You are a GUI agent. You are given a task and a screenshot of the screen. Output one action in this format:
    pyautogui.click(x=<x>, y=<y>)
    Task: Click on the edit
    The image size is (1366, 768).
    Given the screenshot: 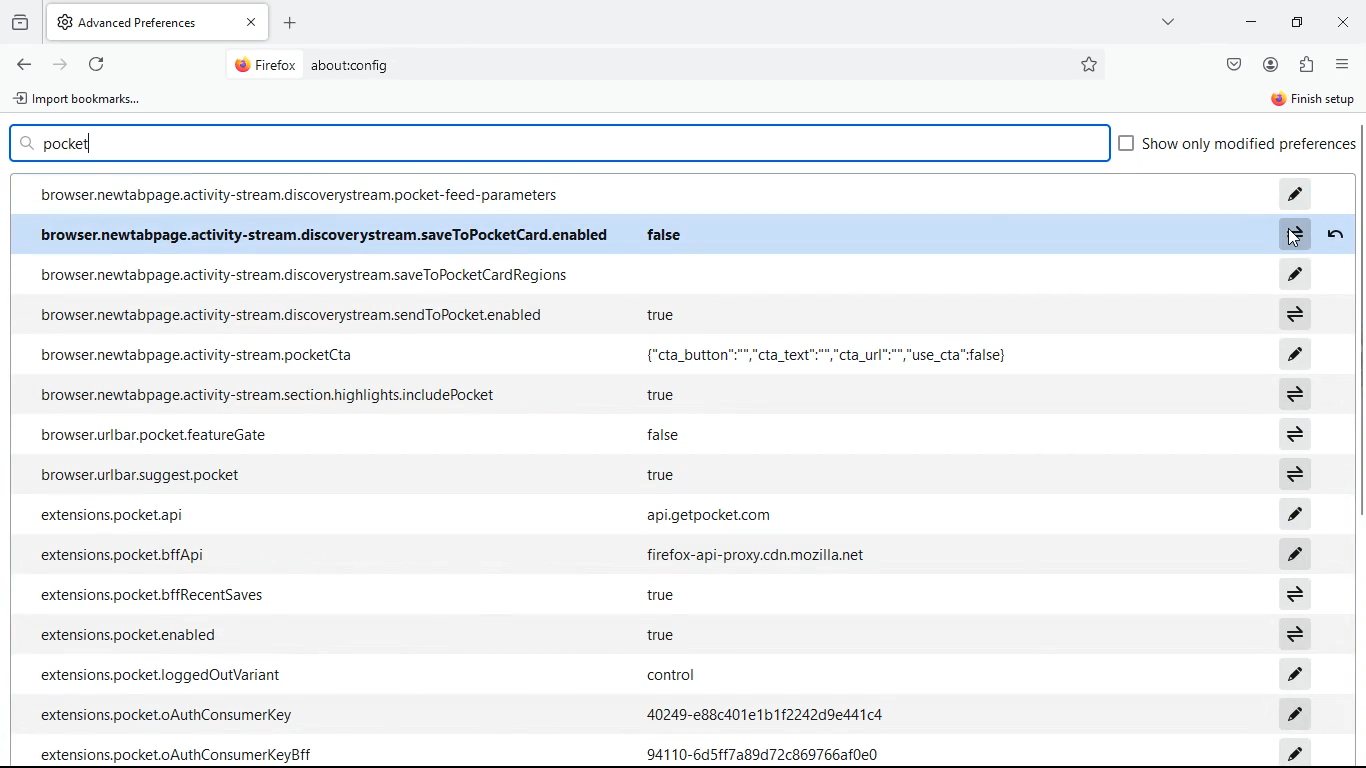 What is the action you would take?
    pyautogui.click(x=1292, y=753)
    